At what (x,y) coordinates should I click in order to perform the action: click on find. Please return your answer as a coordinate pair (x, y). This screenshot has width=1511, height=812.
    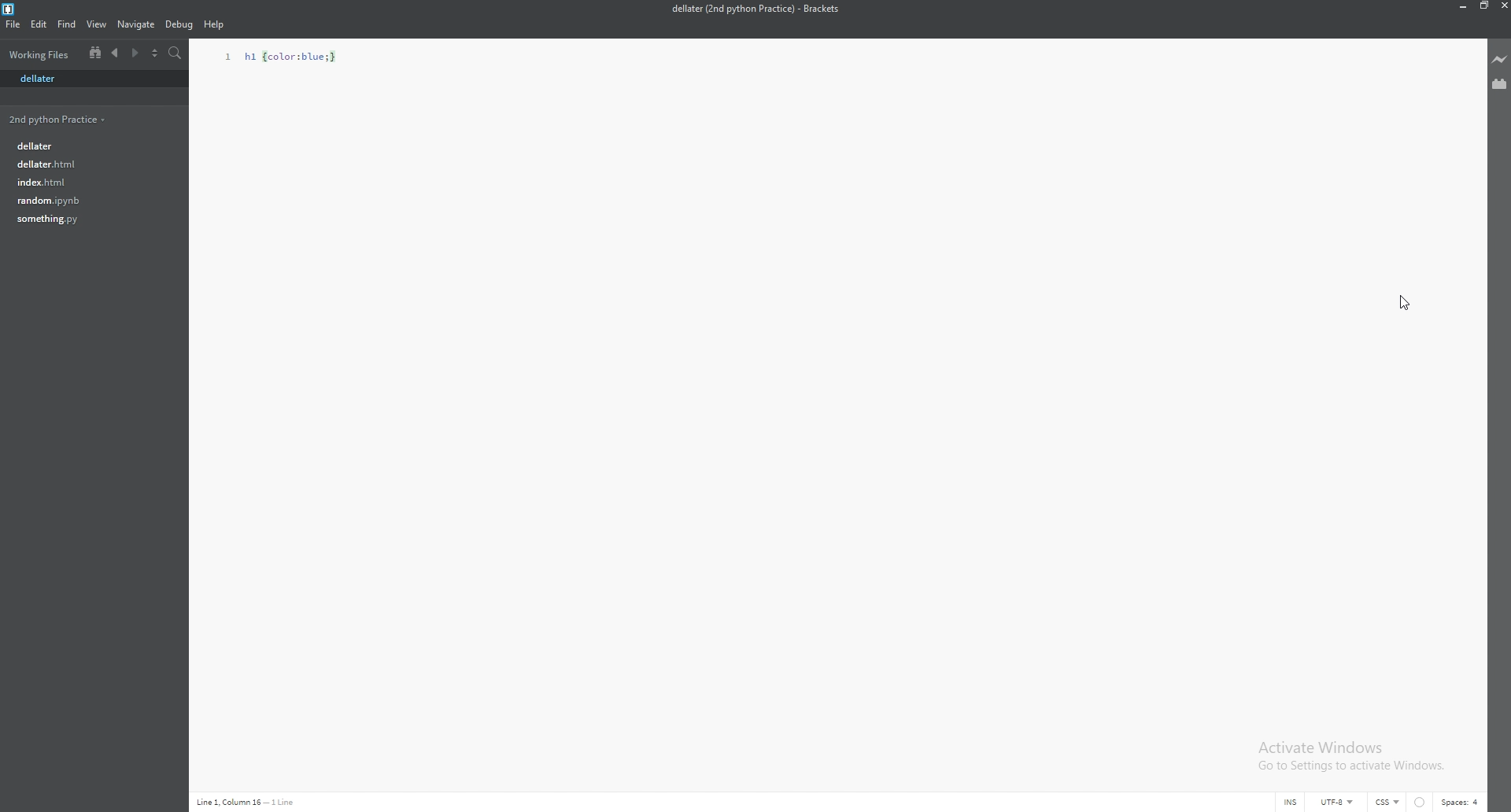
    Looking at the image, I should click on (68, 24).